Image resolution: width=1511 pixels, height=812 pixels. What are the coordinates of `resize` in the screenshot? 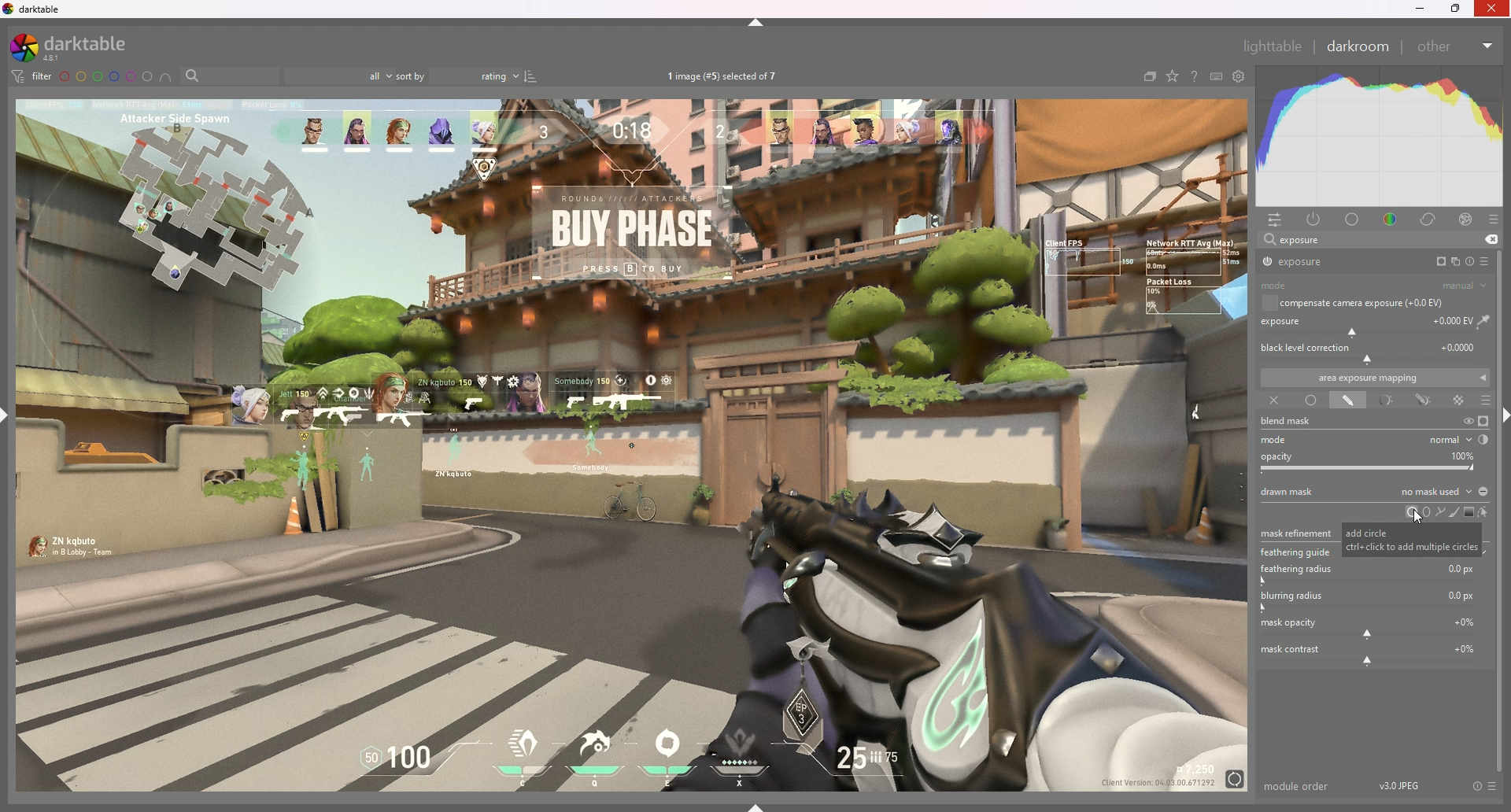 It's located at (1456, 9).